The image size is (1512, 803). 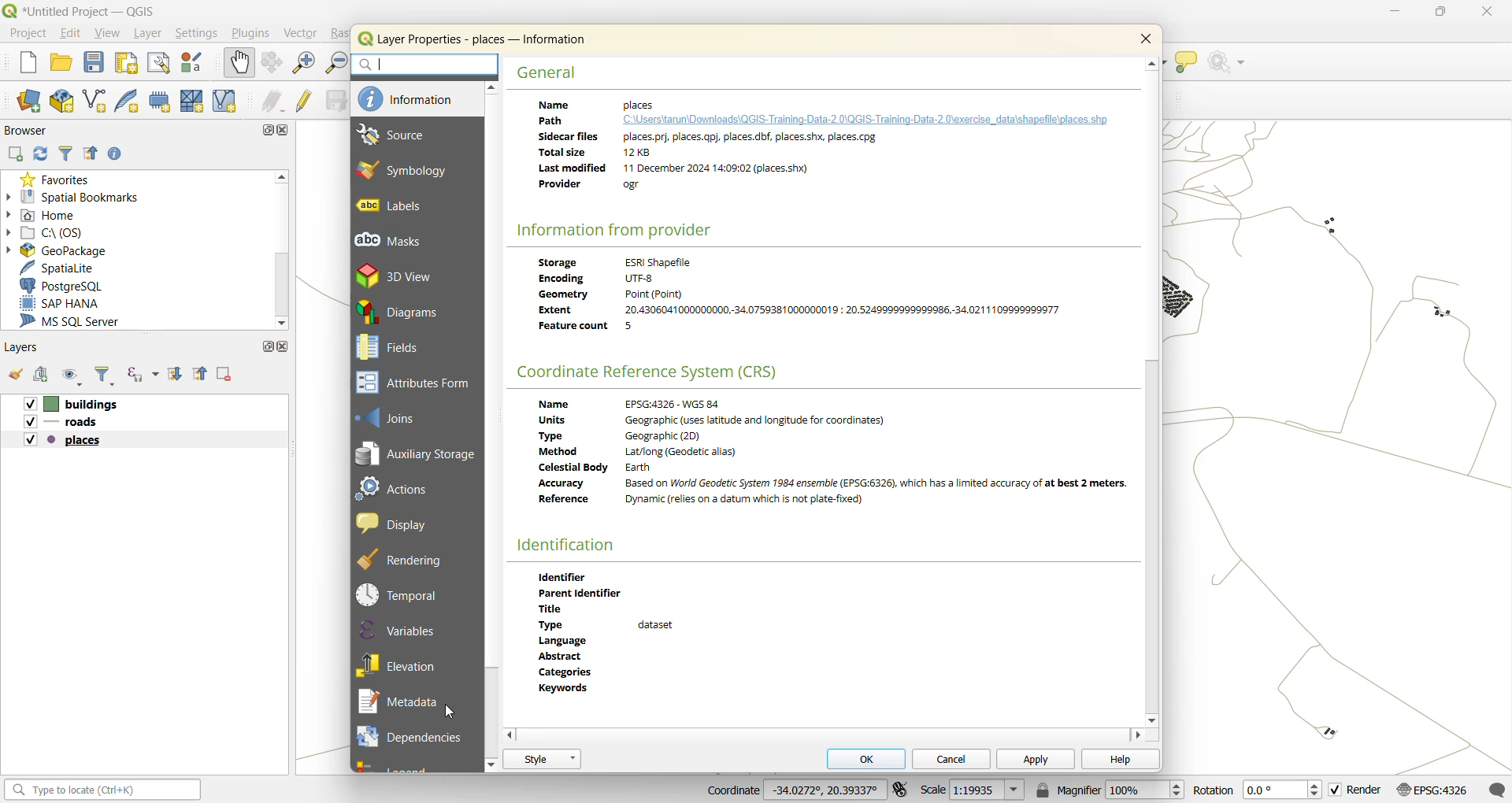 I want to click on layers, so click(x=66, y=439).